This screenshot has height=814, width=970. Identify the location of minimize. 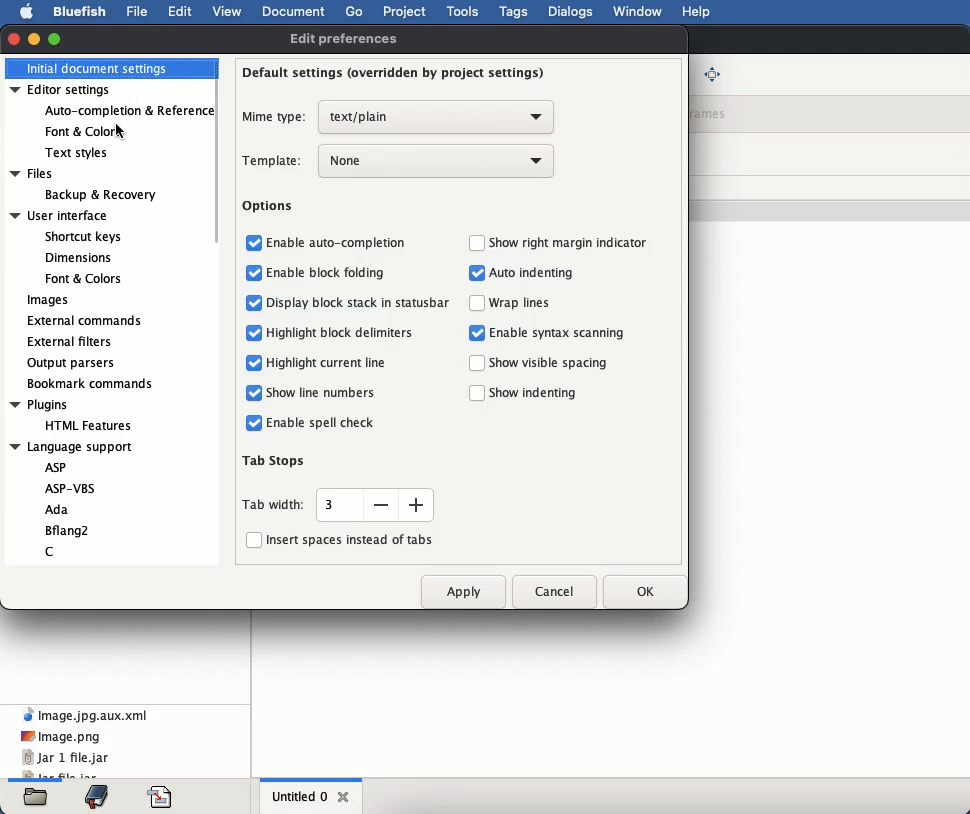
(34, 39).